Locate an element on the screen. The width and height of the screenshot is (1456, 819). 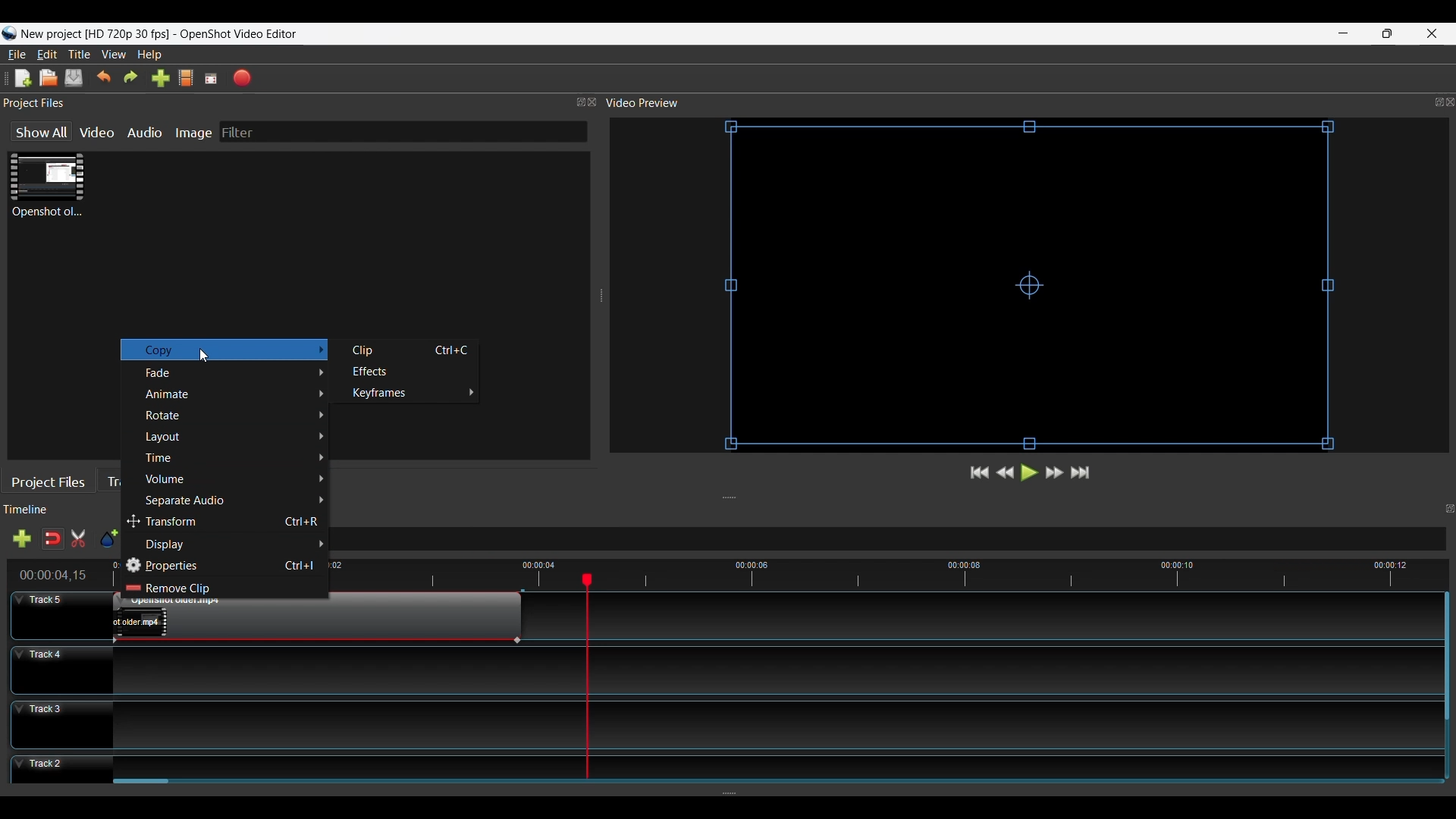
Video is located at coordinates (99, 132).